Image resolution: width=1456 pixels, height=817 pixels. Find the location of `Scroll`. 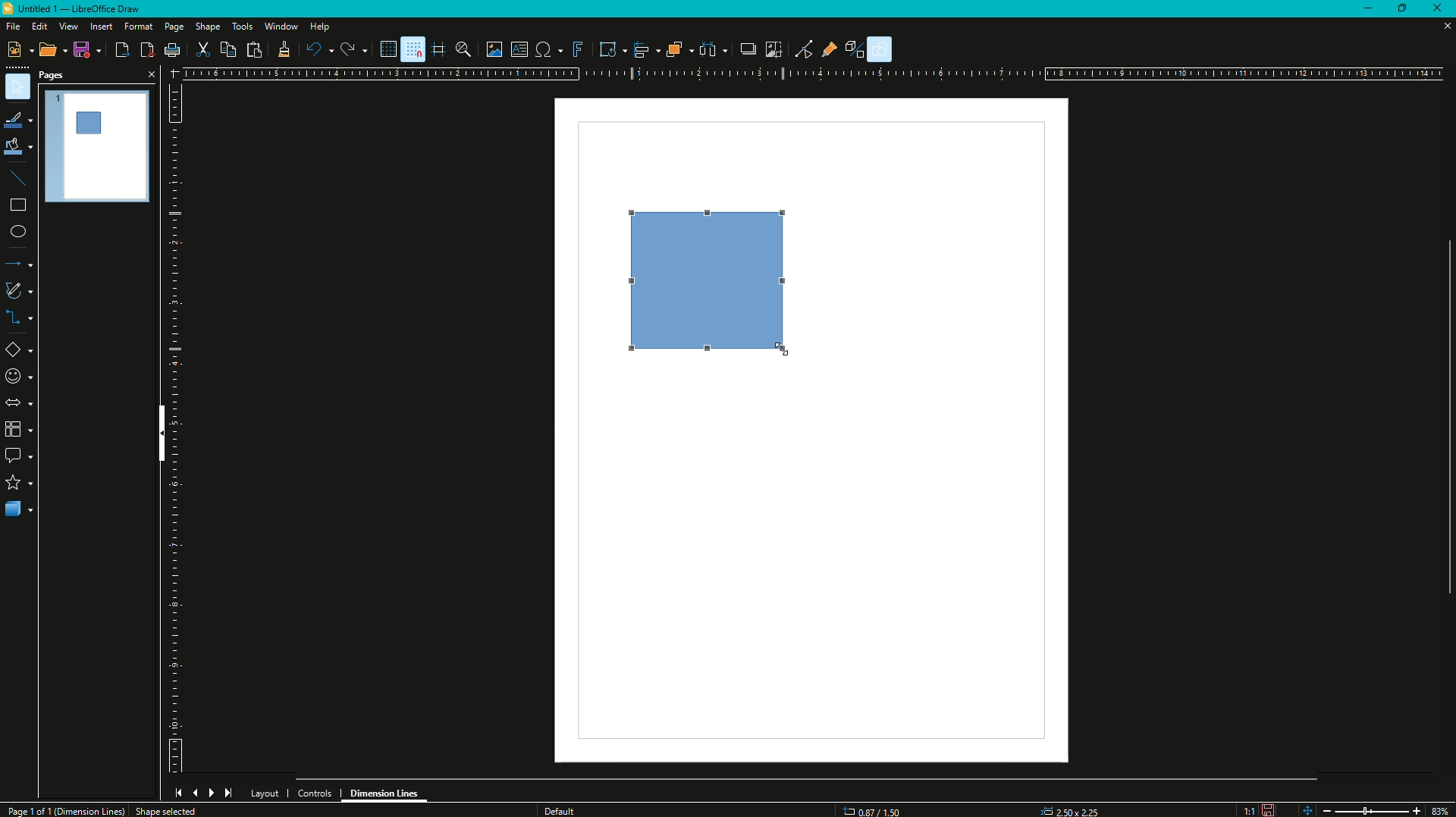

Scroll is located at coordinates (1443, 415).